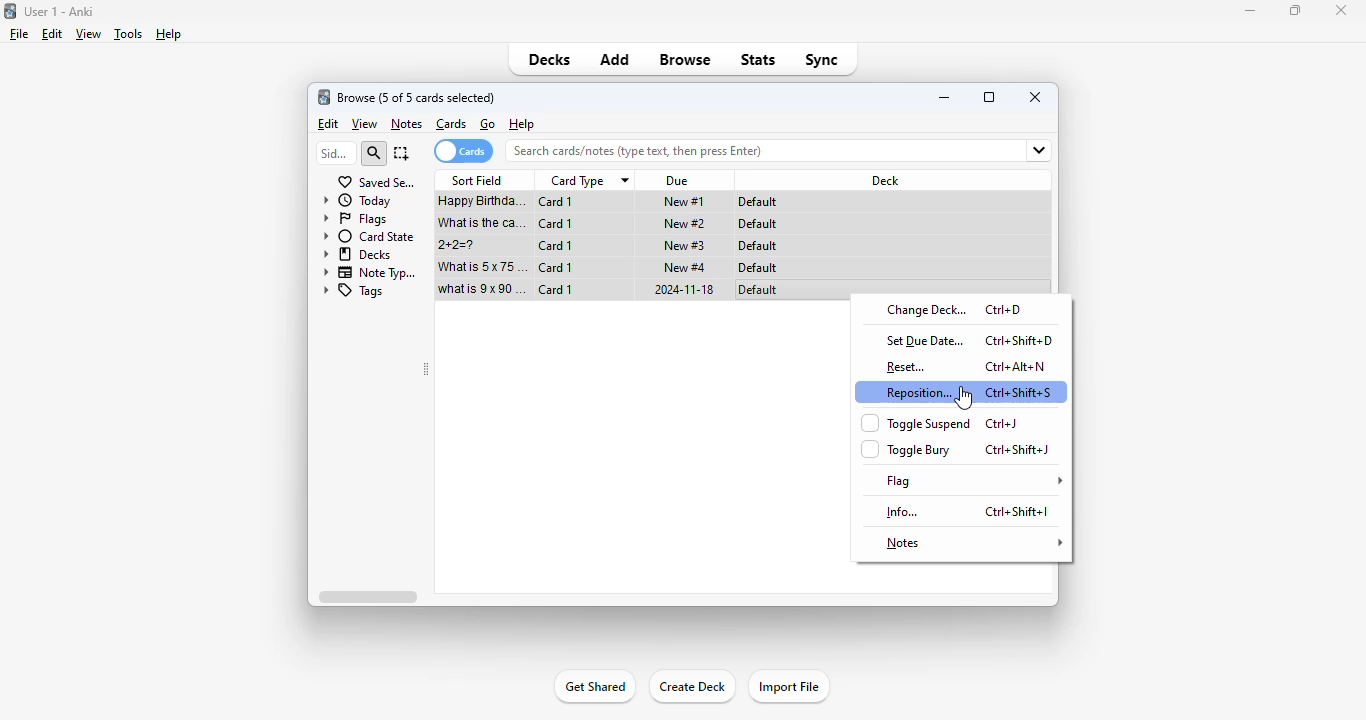 Image resolution: width=1366 pixels, height=720 pixels. What do you see at coordinates (823, 60) in the screenshot?
I see `sync` at bounding box center [823, 60].